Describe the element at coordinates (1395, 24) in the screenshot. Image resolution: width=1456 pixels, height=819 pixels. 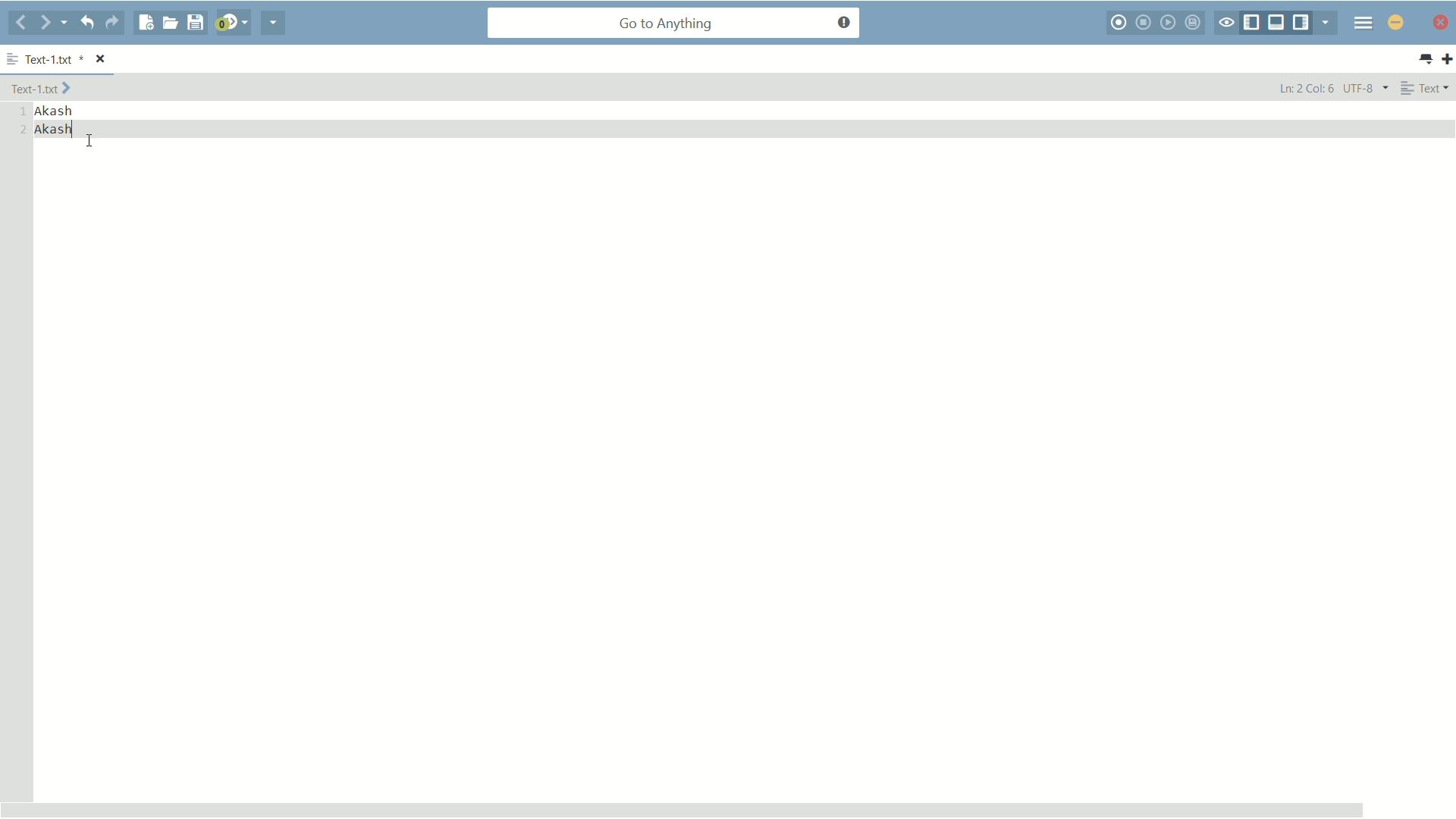
I see `minimize` at that location.